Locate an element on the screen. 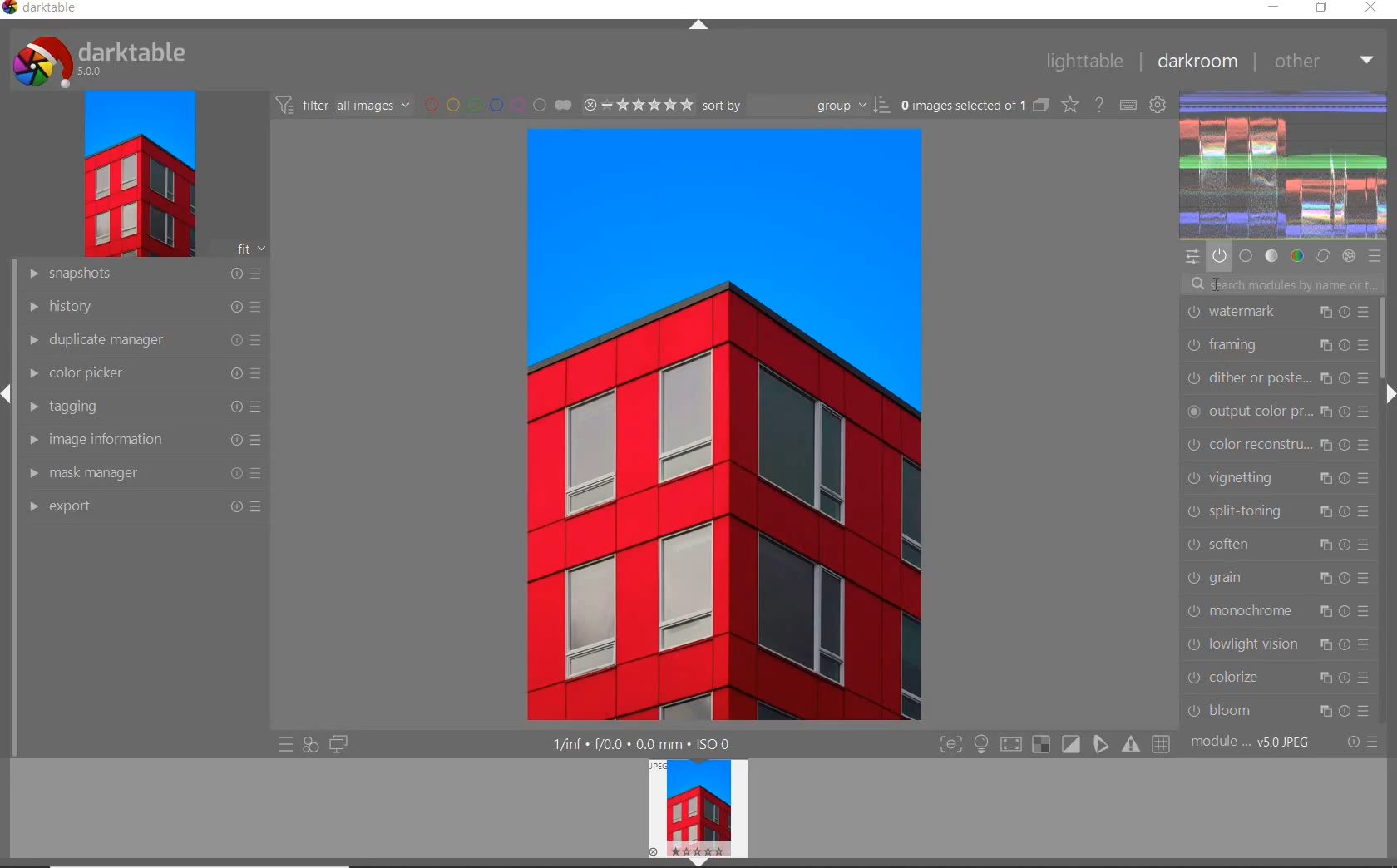  focus mask is located at coordinates (1128, 745).